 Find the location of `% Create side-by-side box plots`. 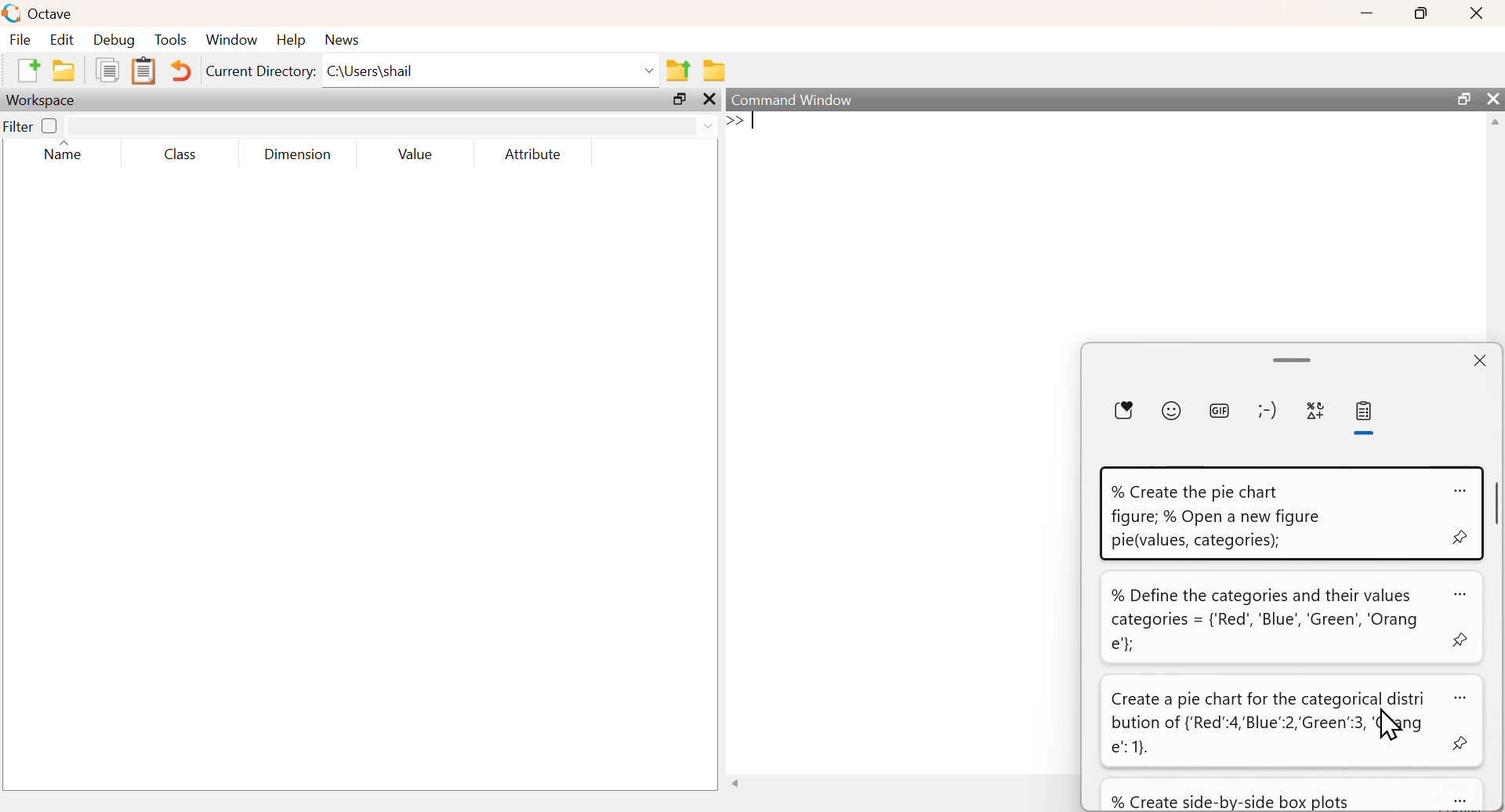

% Create side-by-side box plots is located at coordinates (1231, 801).